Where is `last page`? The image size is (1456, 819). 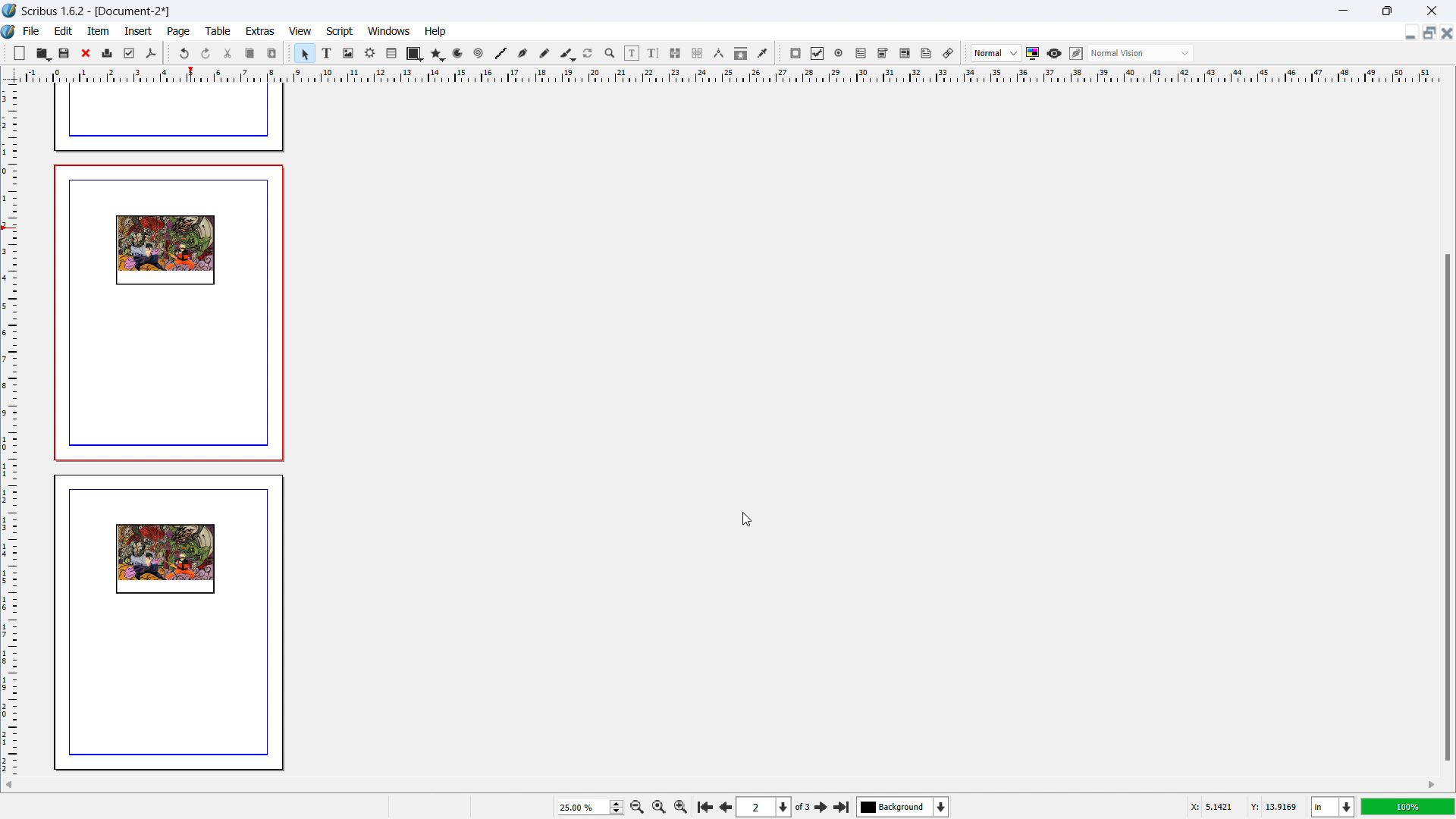
last page is located at coordinates (841, 805).